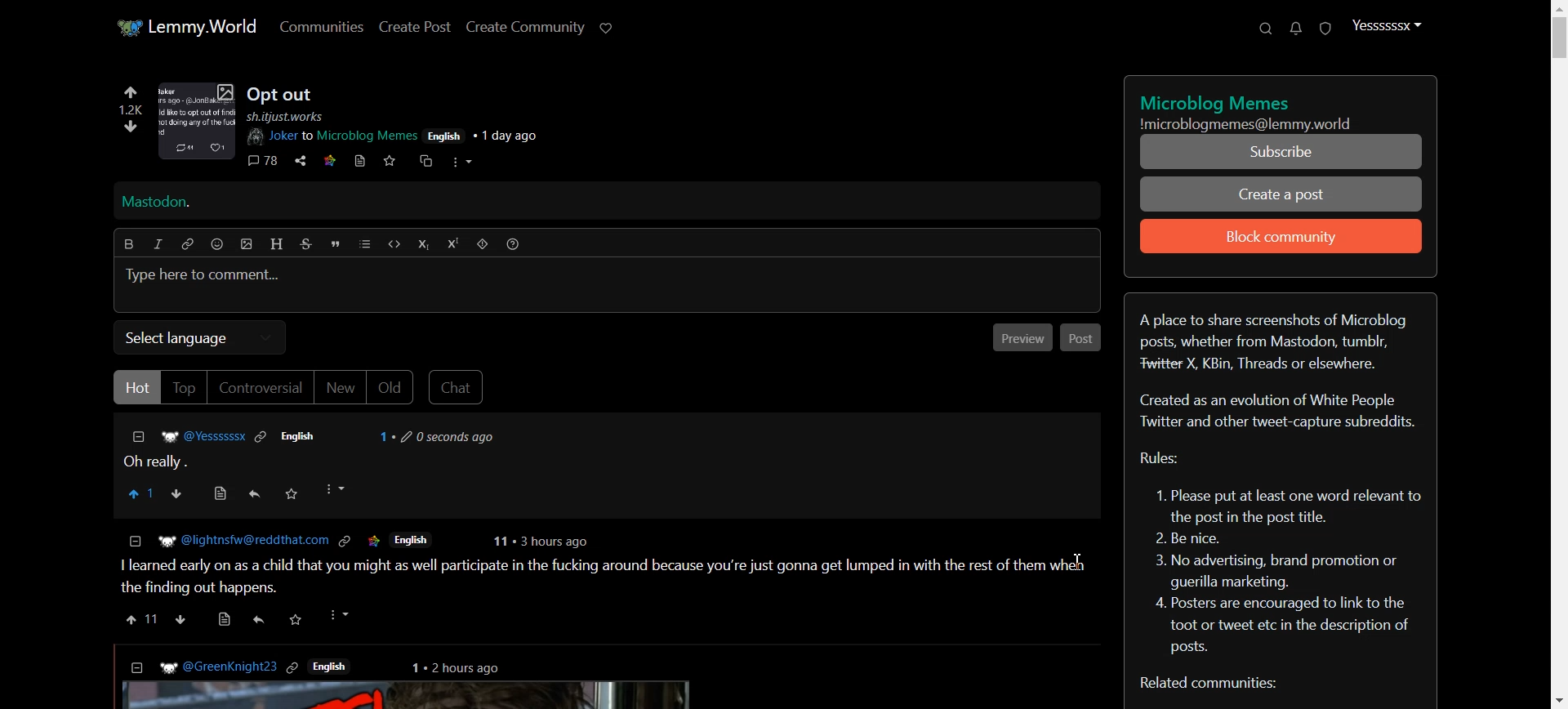  What do you see at coordinates (260, 621) in the screenshot?
I see `reply` at bounding box center [260, 621].